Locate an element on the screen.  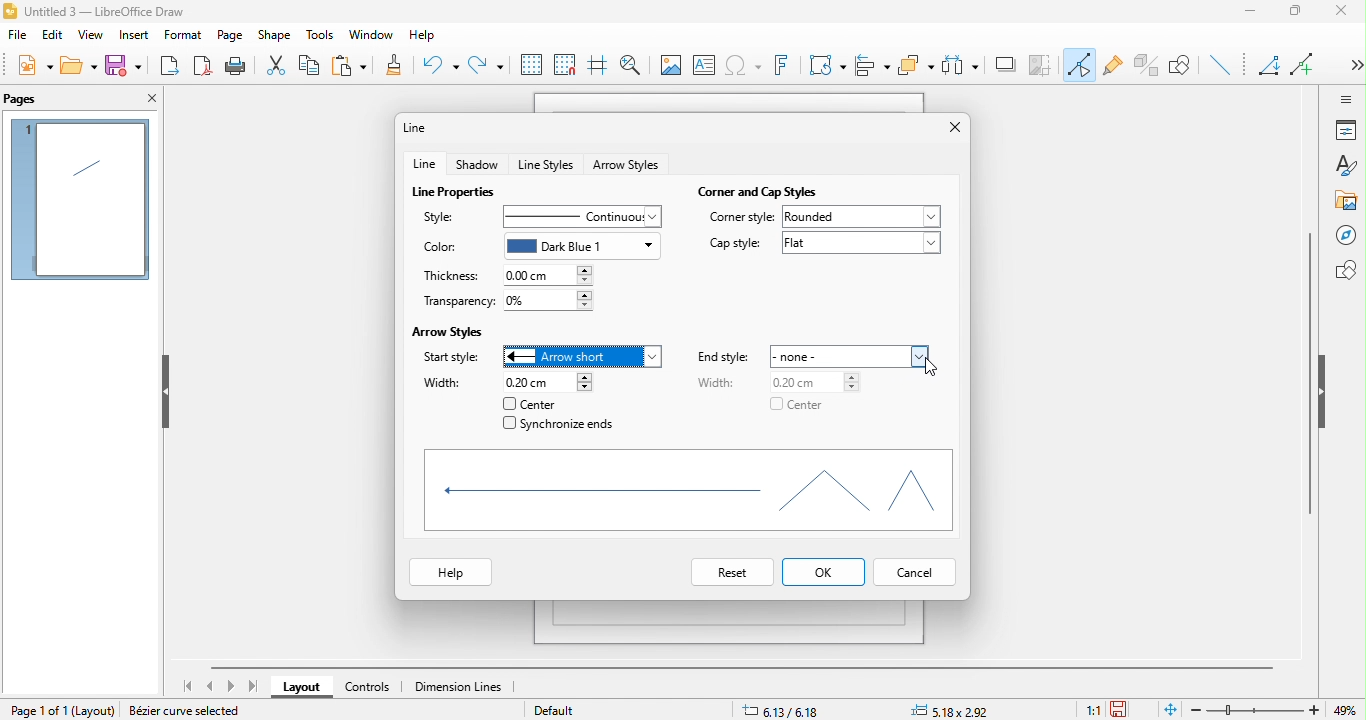
0% is located at coordinates (550, 300).